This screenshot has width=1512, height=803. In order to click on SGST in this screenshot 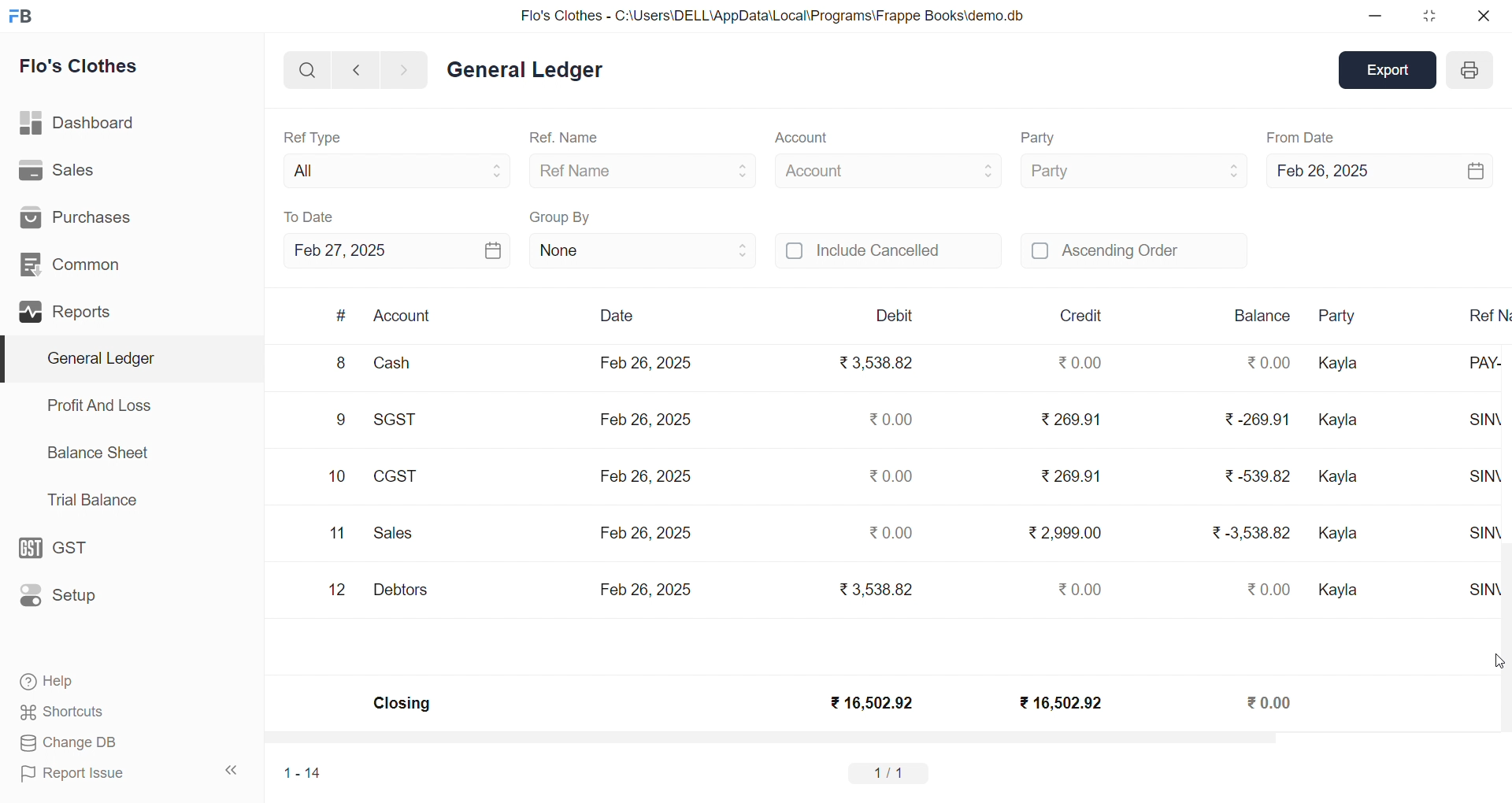, I will do `click(403, 421)`.